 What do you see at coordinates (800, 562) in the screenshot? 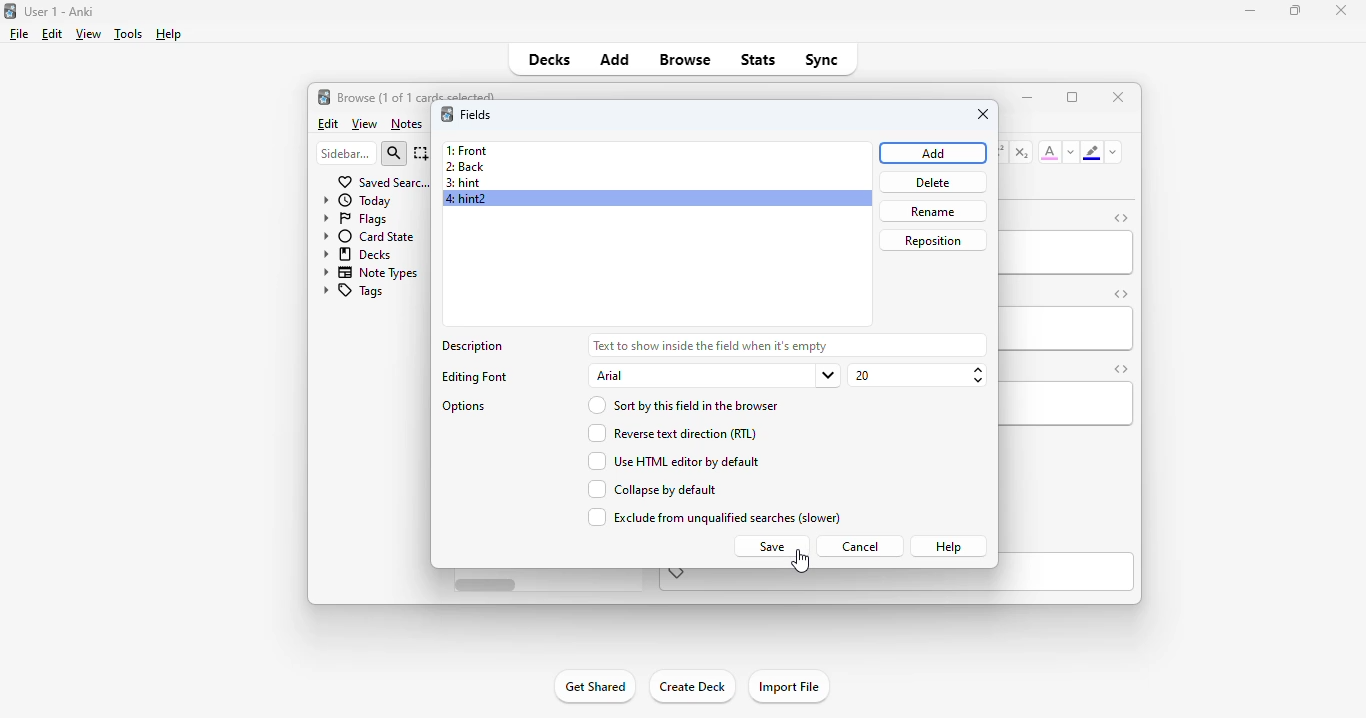
I see `cursor` at bounding box center [800, 562].